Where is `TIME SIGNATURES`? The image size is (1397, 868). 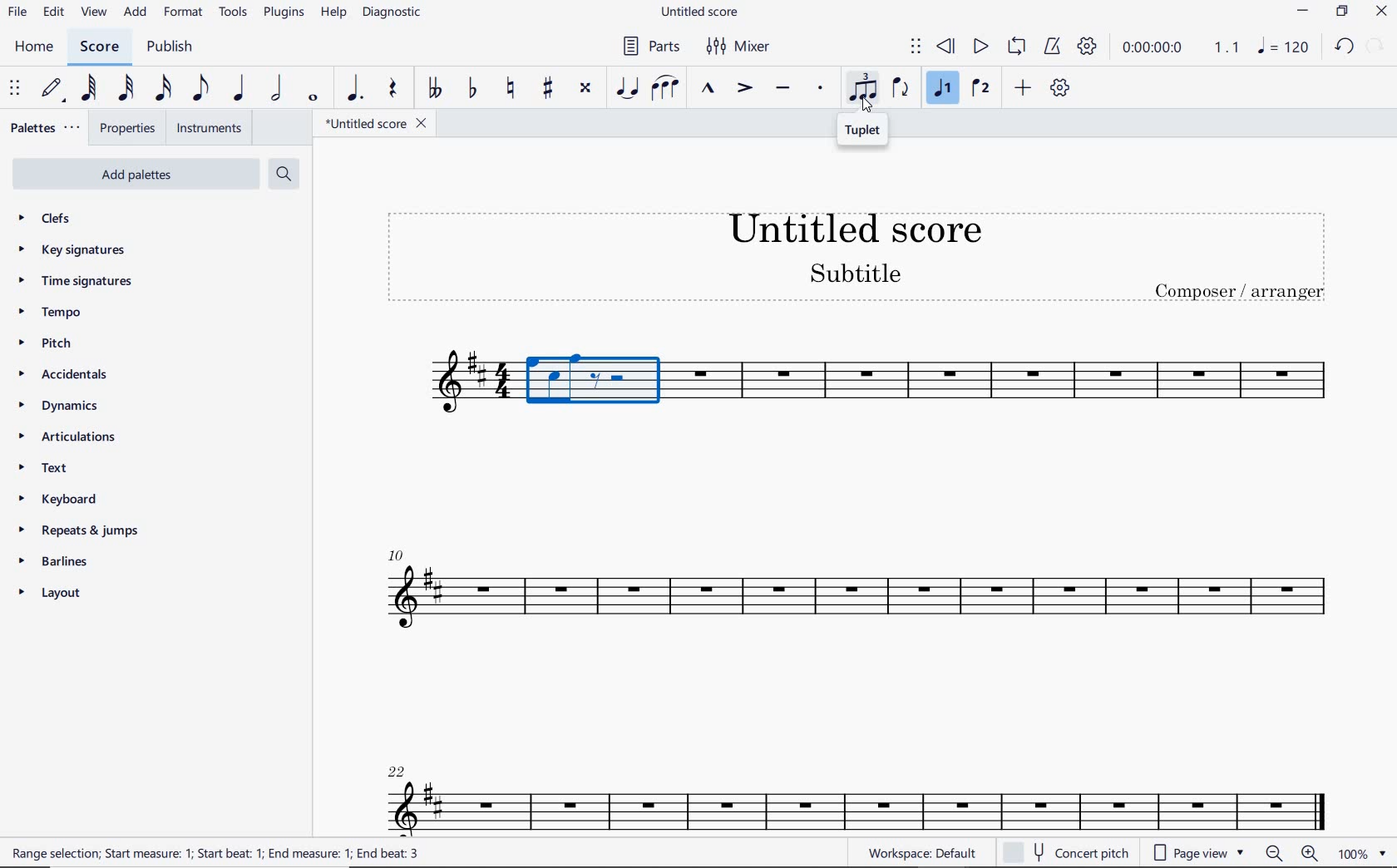
TIME SIGNATURES is located at coordinates (86, 282).